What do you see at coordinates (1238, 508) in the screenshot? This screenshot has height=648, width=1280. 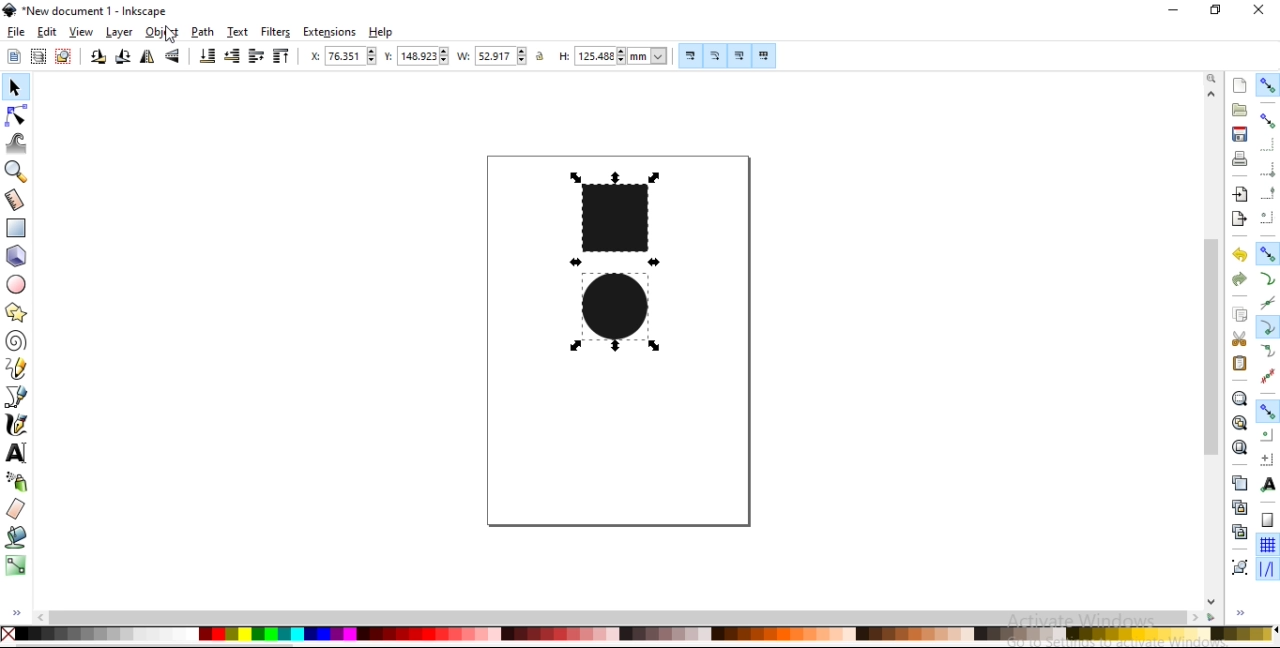 I see `create aclone` at bounding box center [1238, 508].